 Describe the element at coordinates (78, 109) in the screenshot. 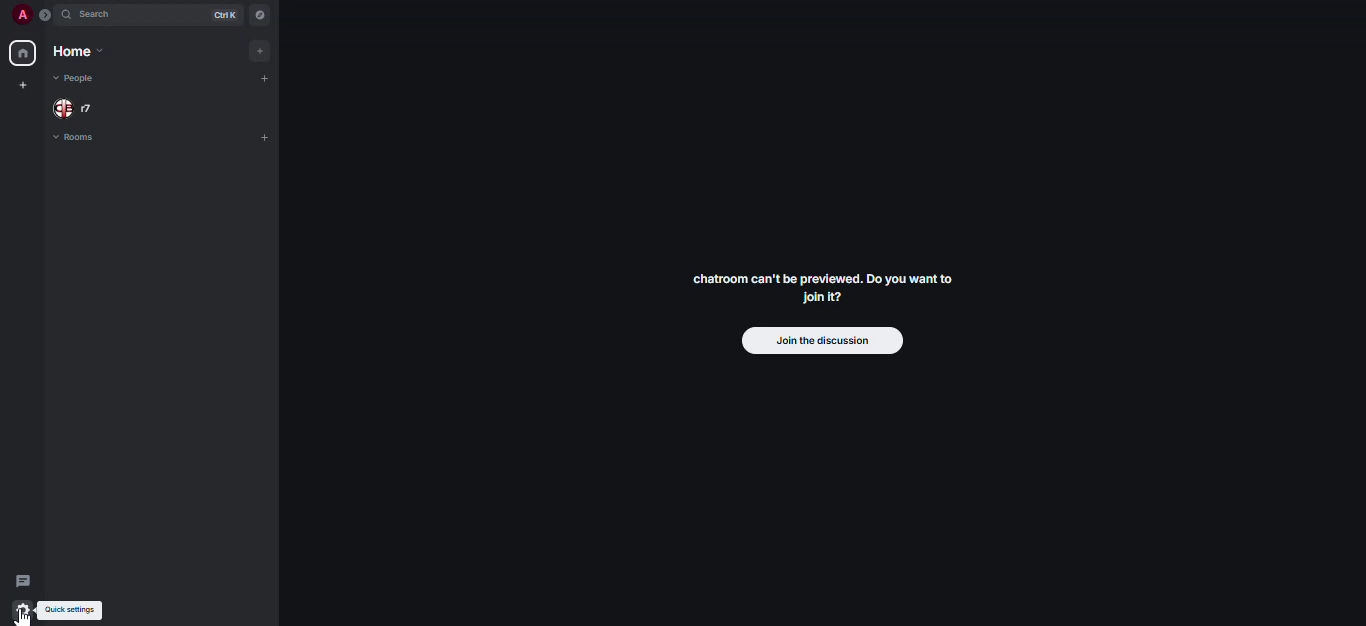

I see `people` at that location.